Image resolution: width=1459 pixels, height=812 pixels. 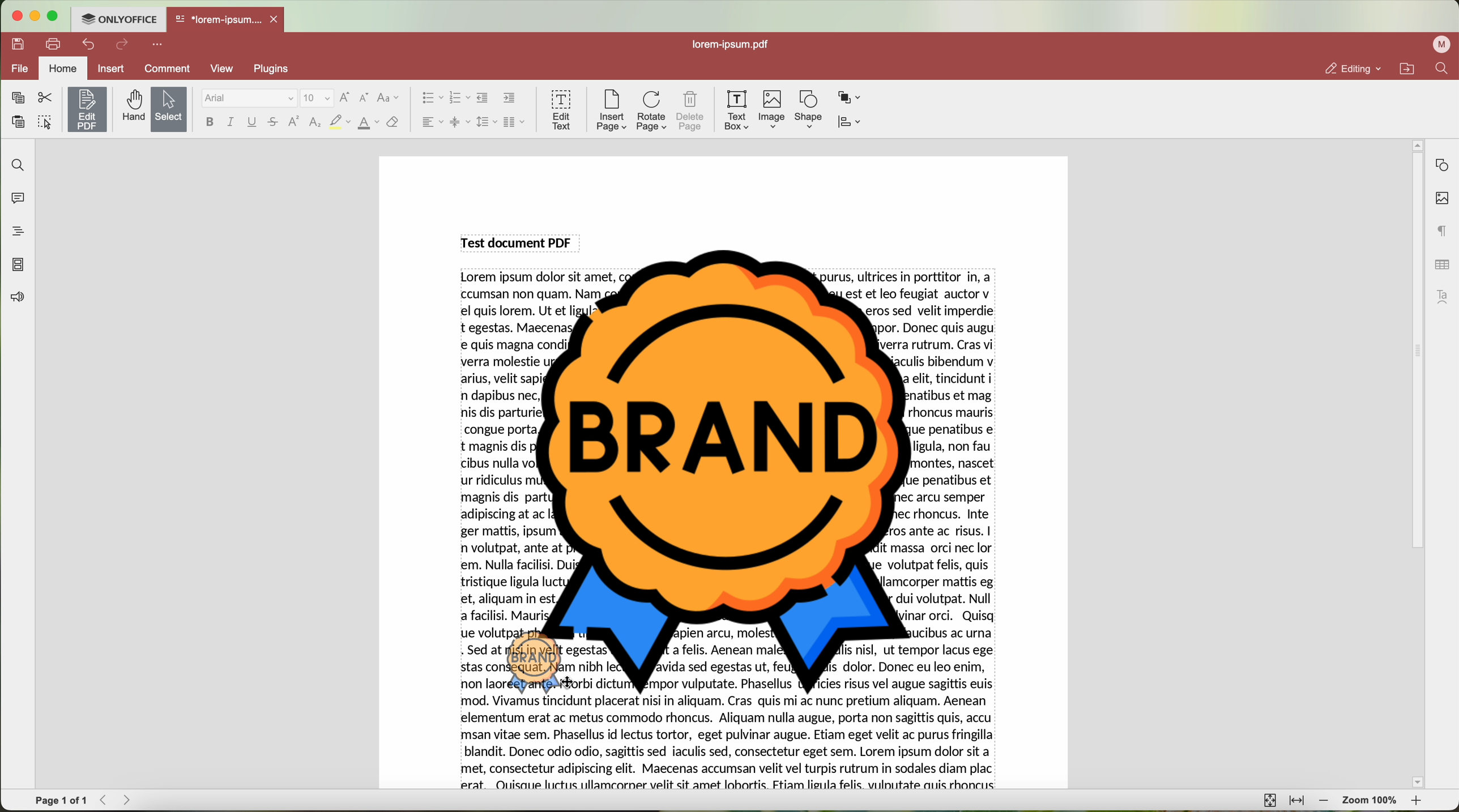 What do you see at coordinates (344, 97) in the screenshot?
I see `increment font size` at bounding box center [344, 97].